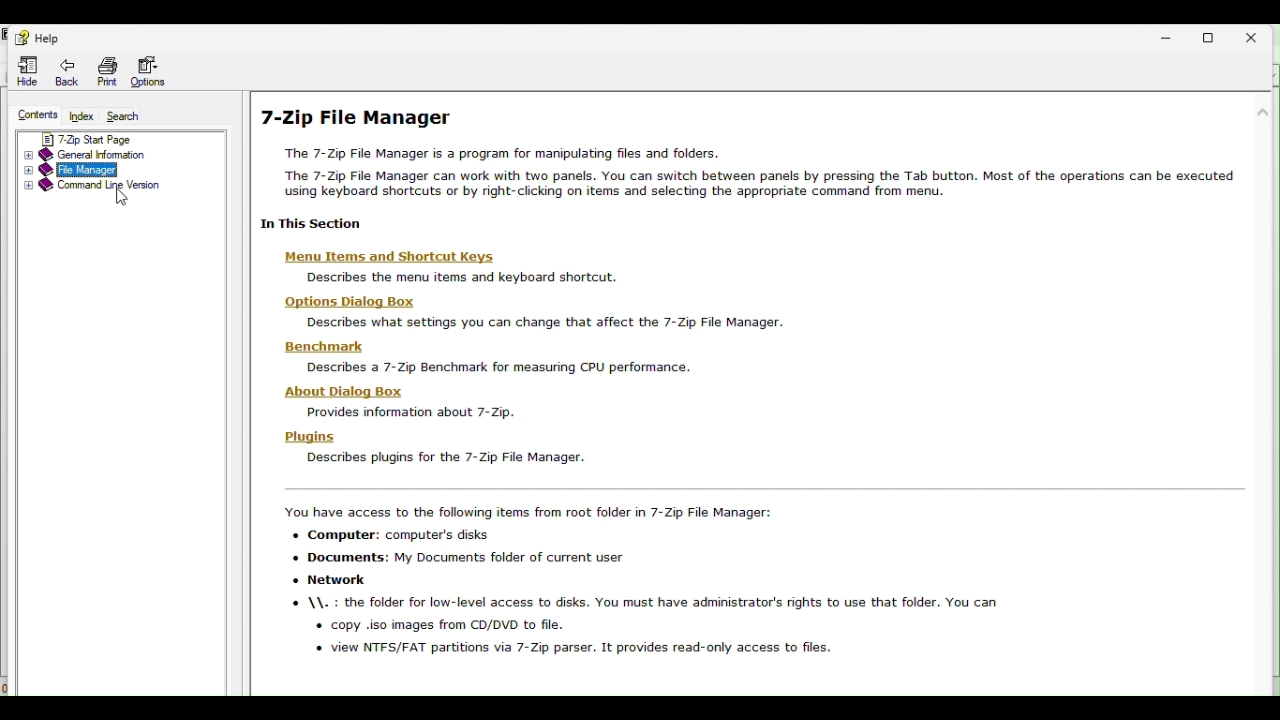  Describe the element at coordinates (122, 137) in the screenshot. I see `7 zip start page` at that location.